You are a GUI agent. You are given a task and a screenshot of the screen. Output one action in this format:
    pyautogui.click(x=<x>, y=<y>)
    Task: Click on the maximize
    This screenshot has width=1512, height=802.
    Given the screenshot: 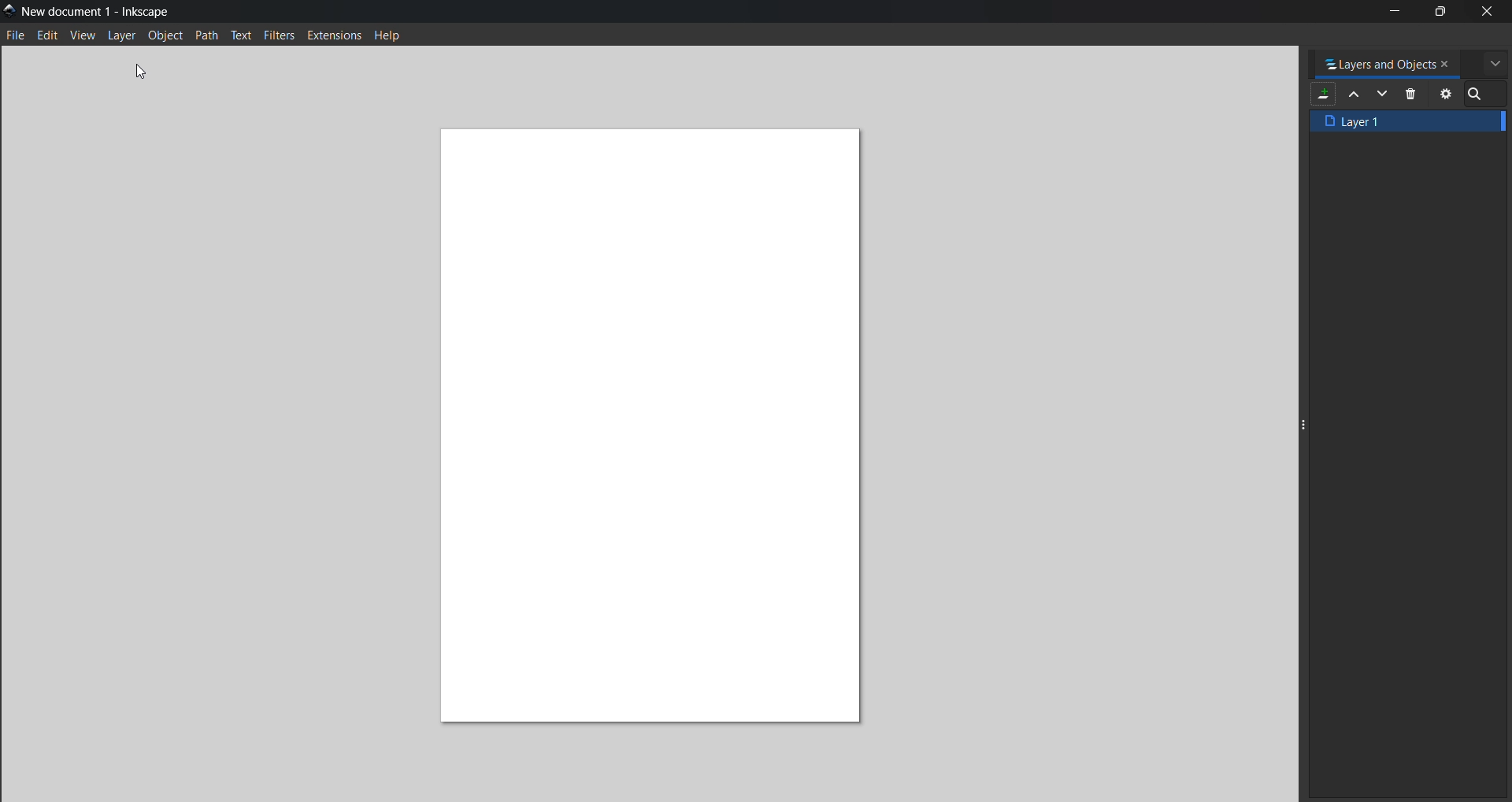 What is the action you would take?
    pyautogui.click(x=1440, y=13)
    